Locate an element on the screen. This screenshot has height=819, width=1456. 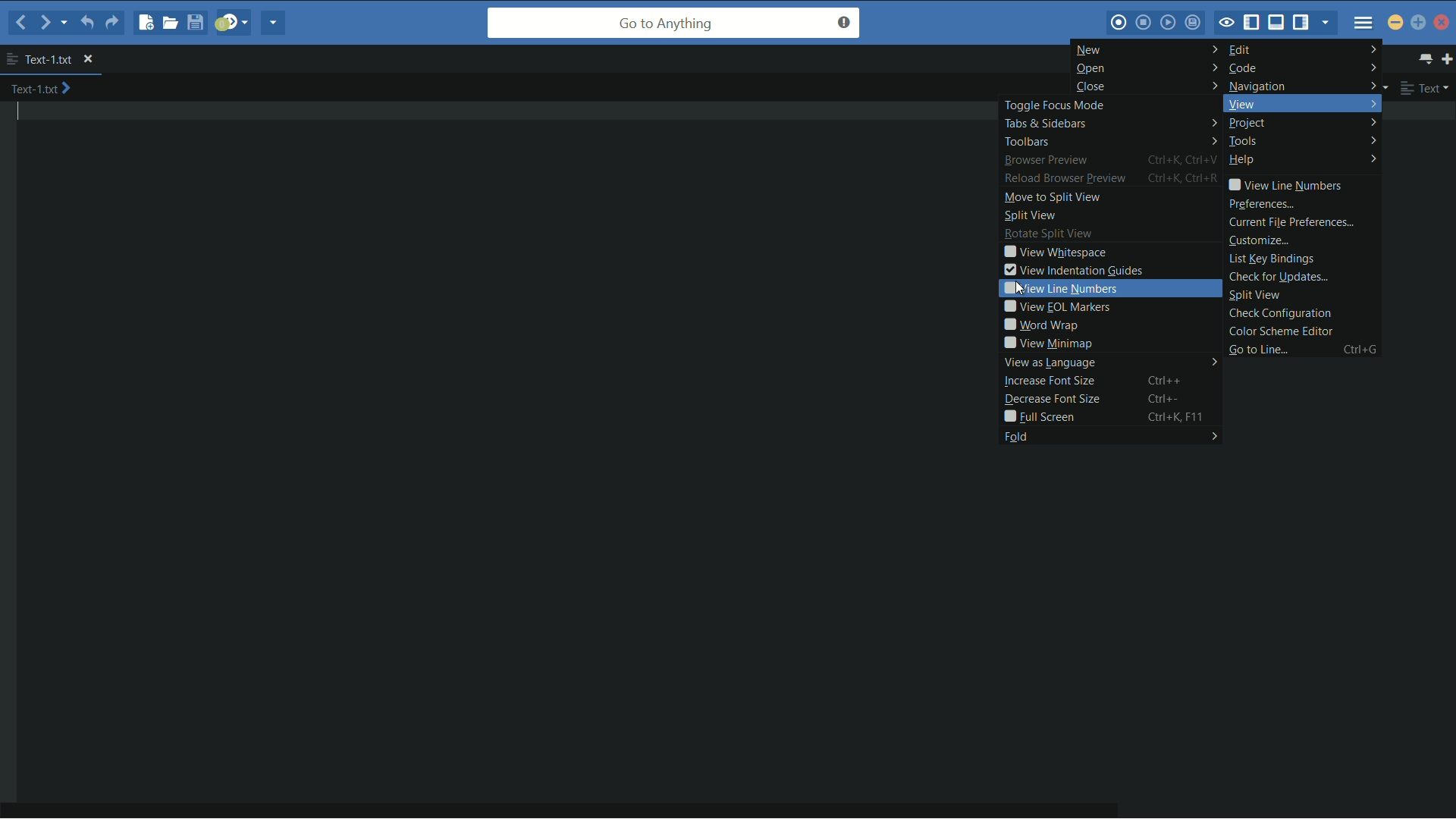
record macro is located at coordinates (1118, 24).